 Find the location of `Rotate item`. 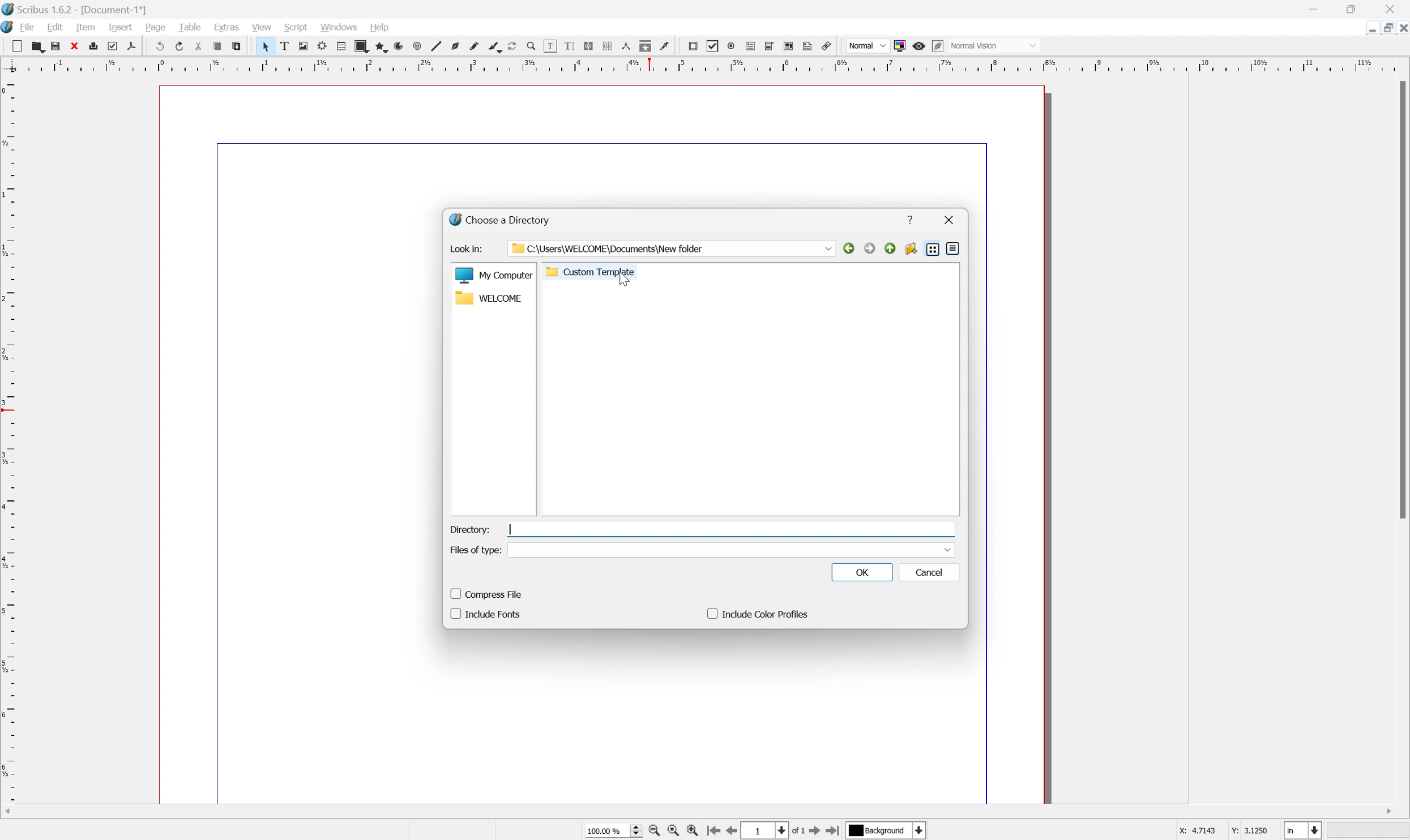

Rotate item is located at coordinates (511, 45).